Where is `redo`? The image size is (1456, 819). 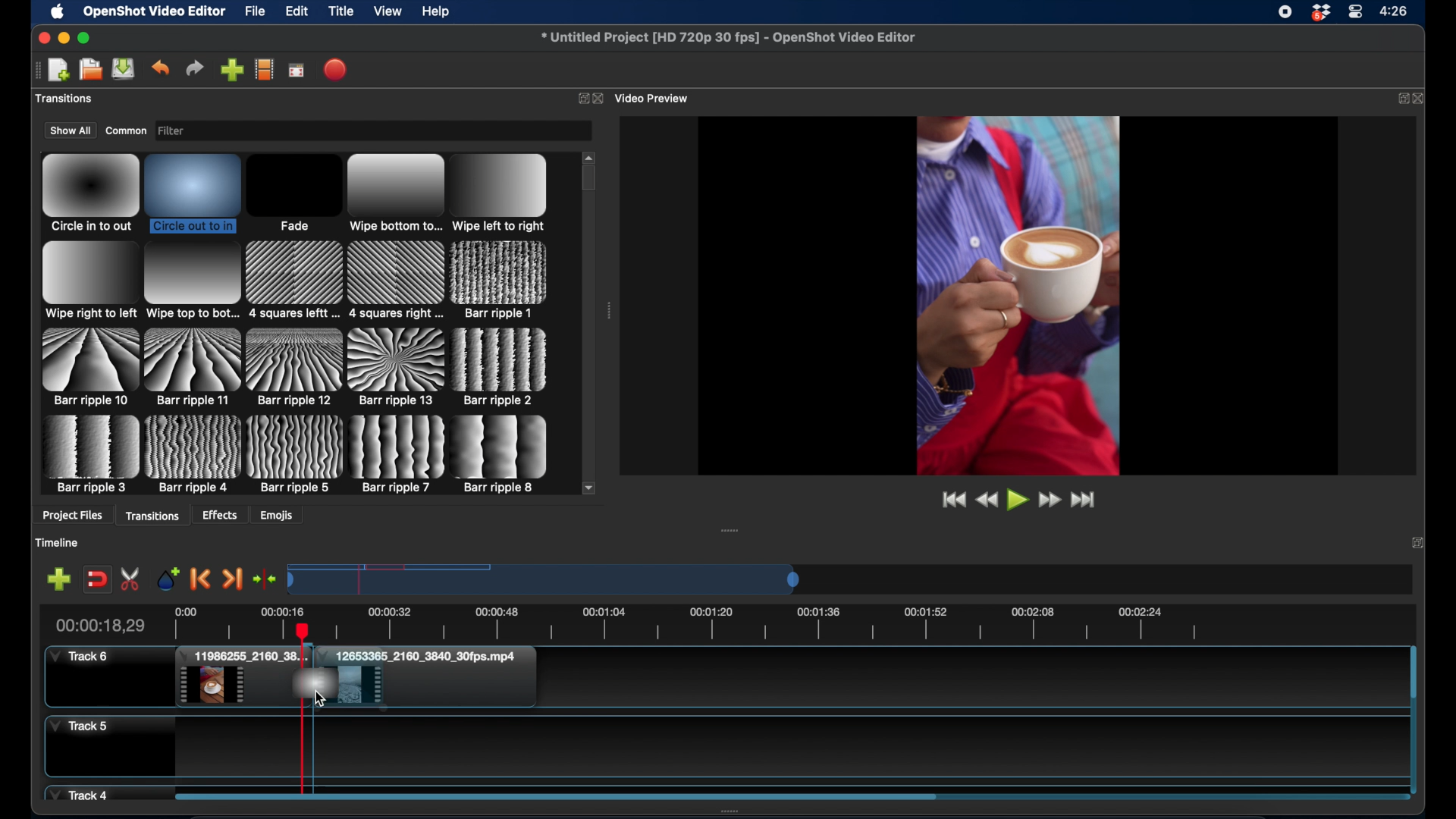
redo is located at coordinates (195, 68).